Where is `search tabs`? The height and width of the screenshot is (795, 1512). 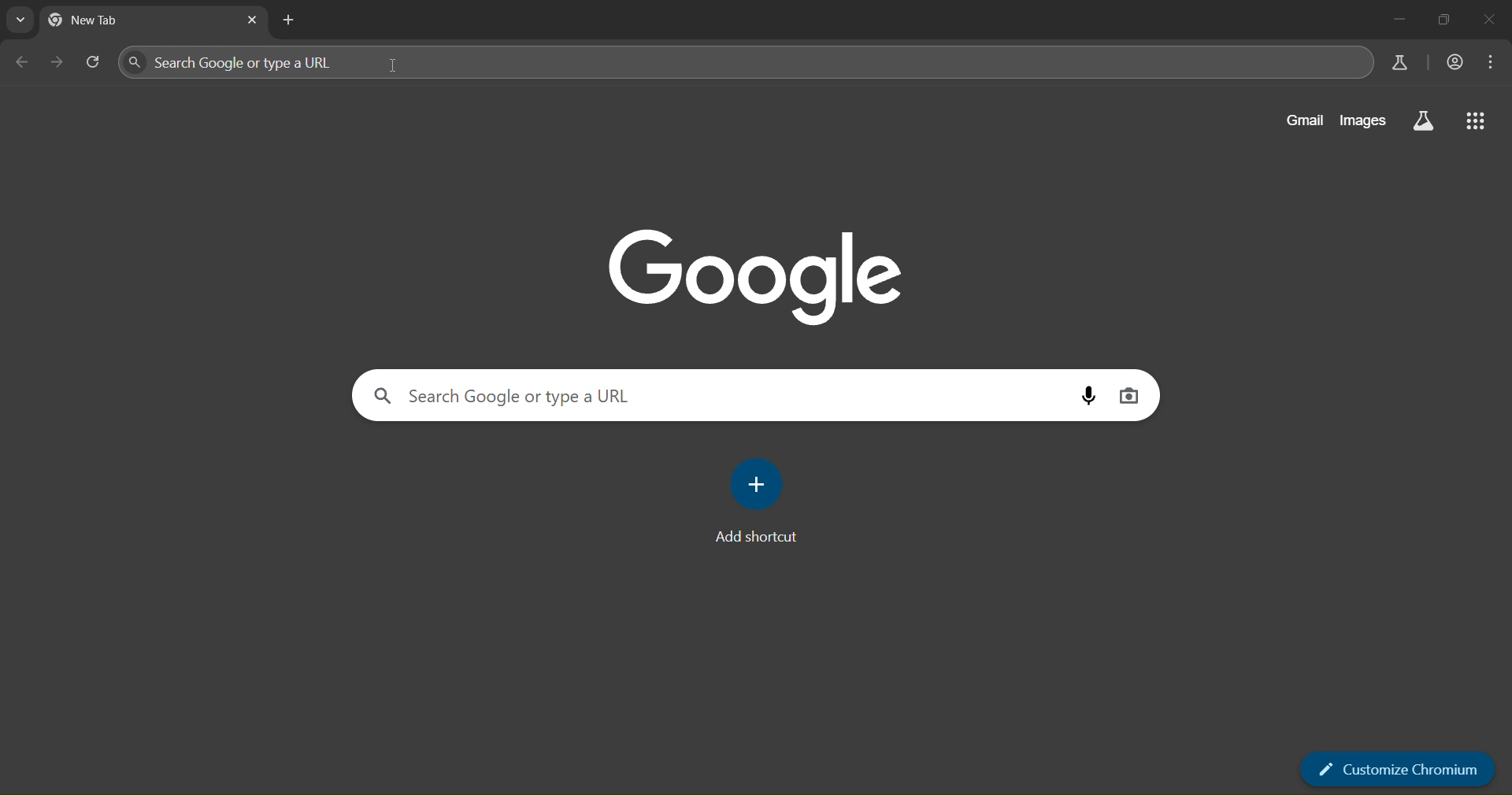
search tabs is located at coordinates (20, 21).